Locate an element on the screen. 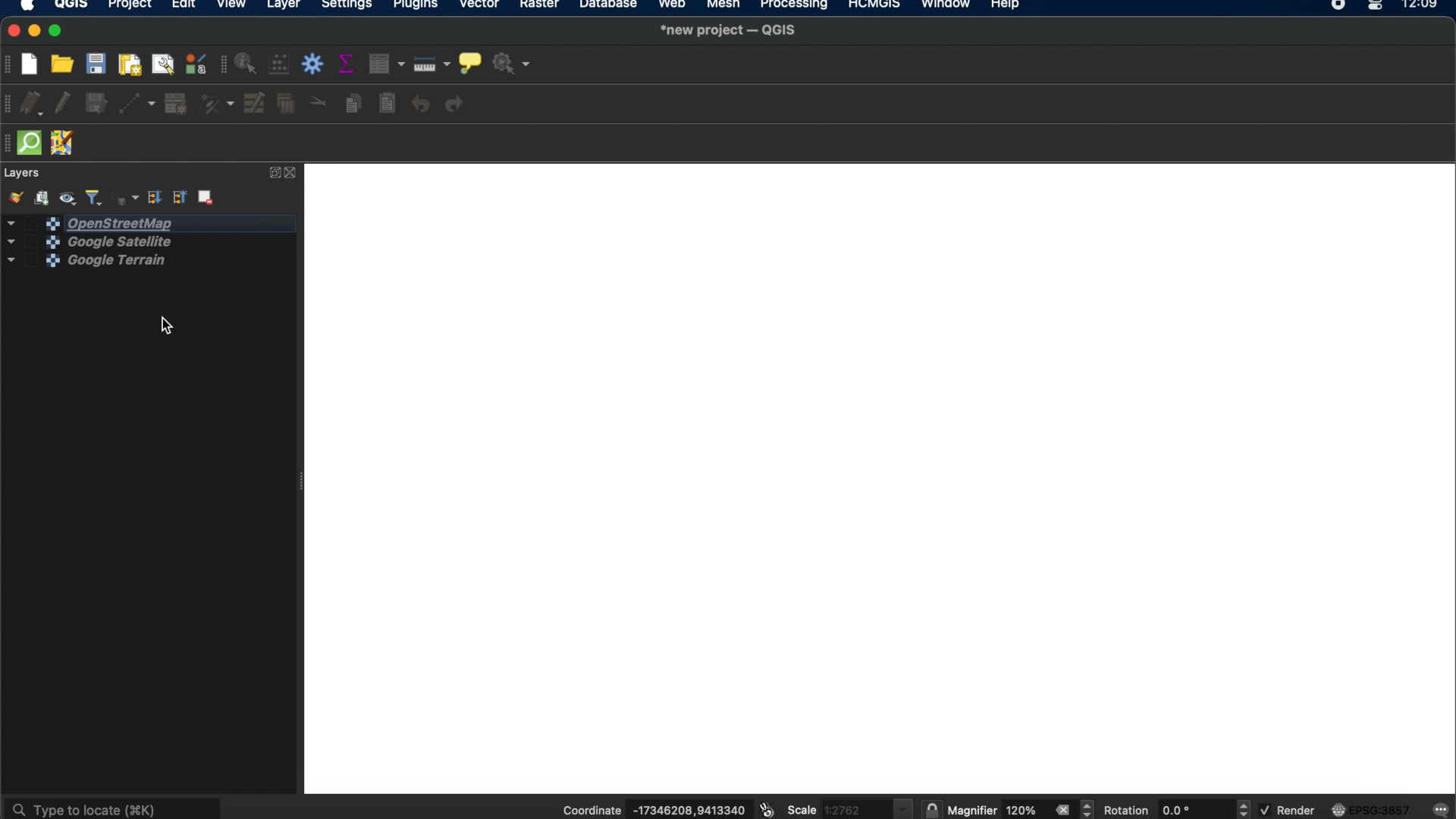 The height and width of the screenshot is (819, 1456). filter legend is located at coordinates (95, 196).